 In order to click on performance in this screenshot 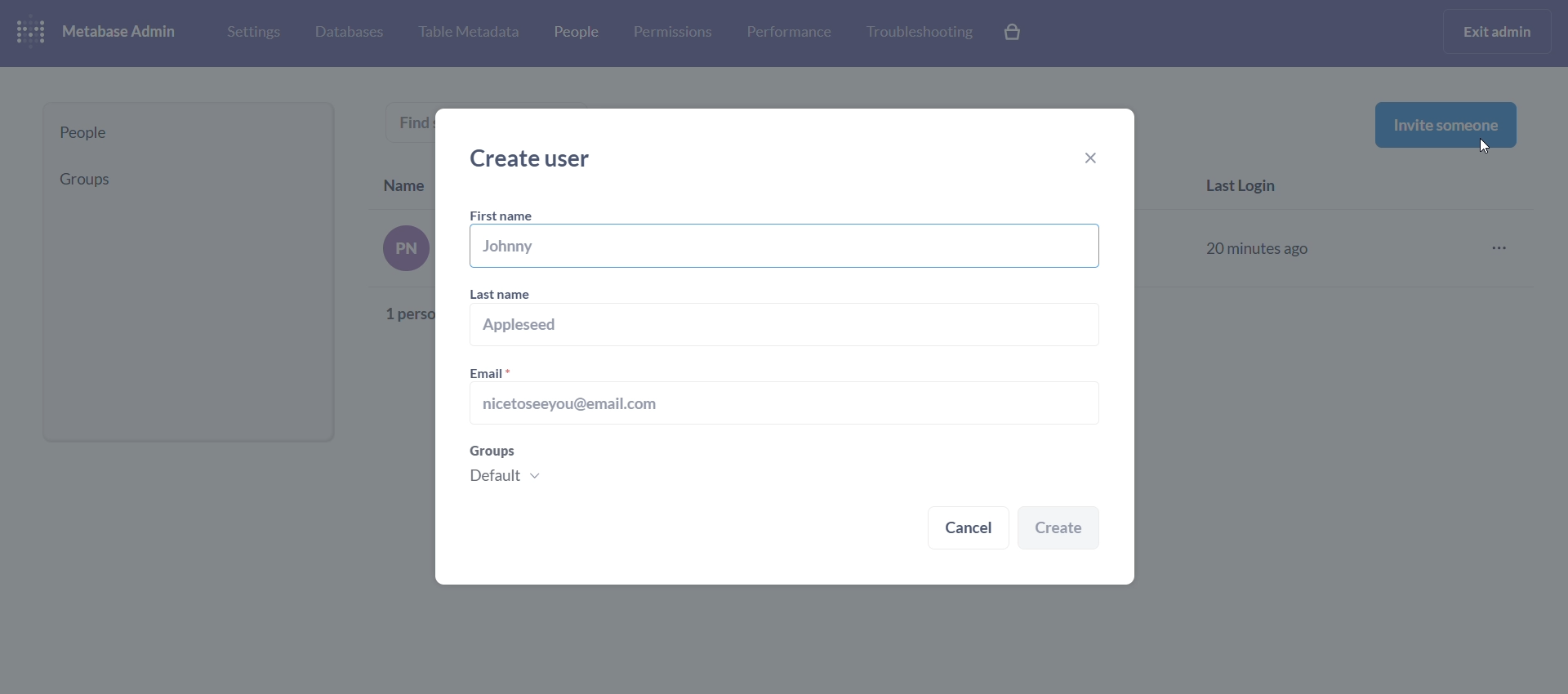, I will do `click(789, 31)`.